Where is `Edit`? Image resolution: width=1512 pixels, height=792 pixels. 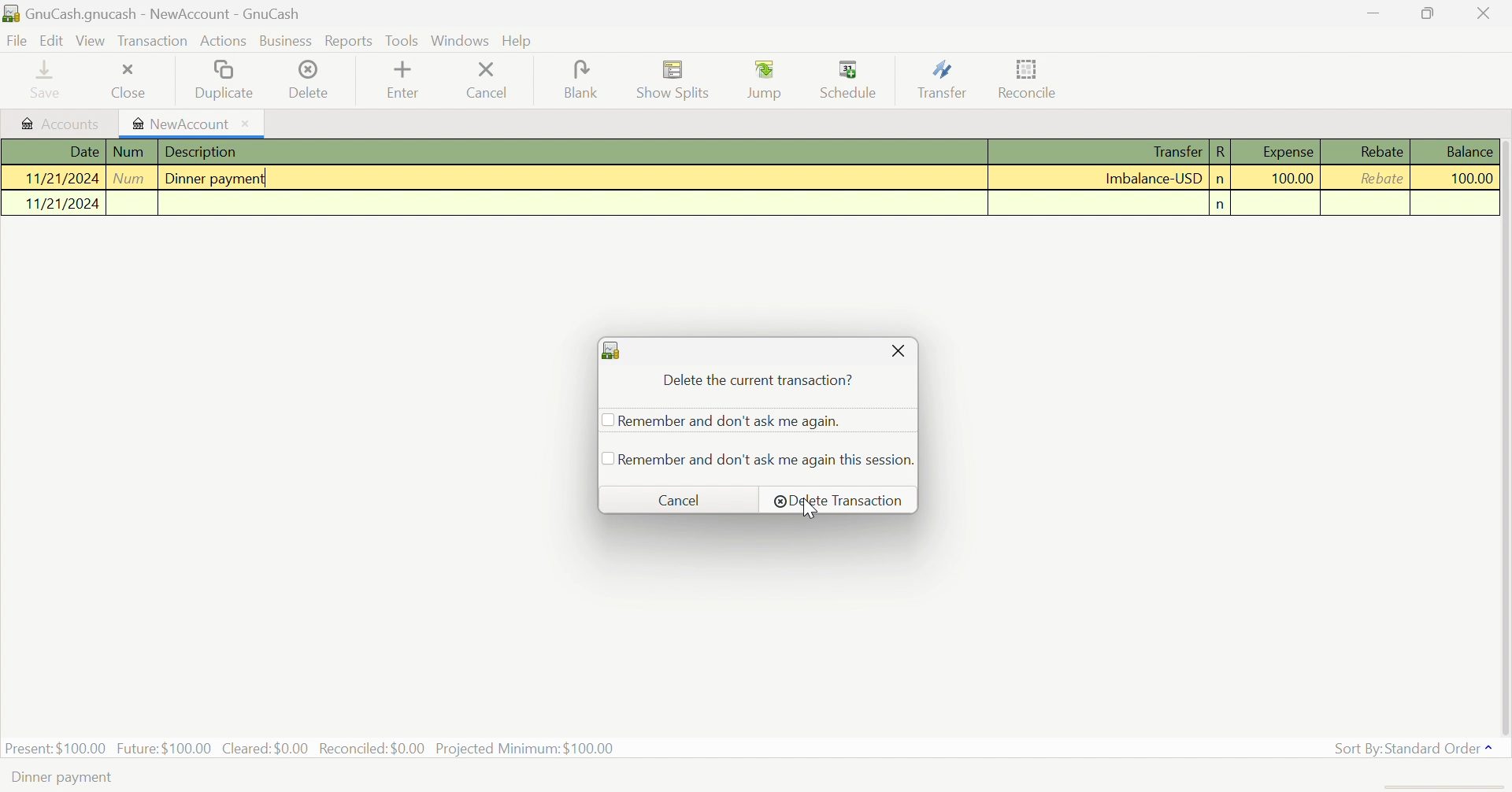
Edit is located at coordinates (51, 40).